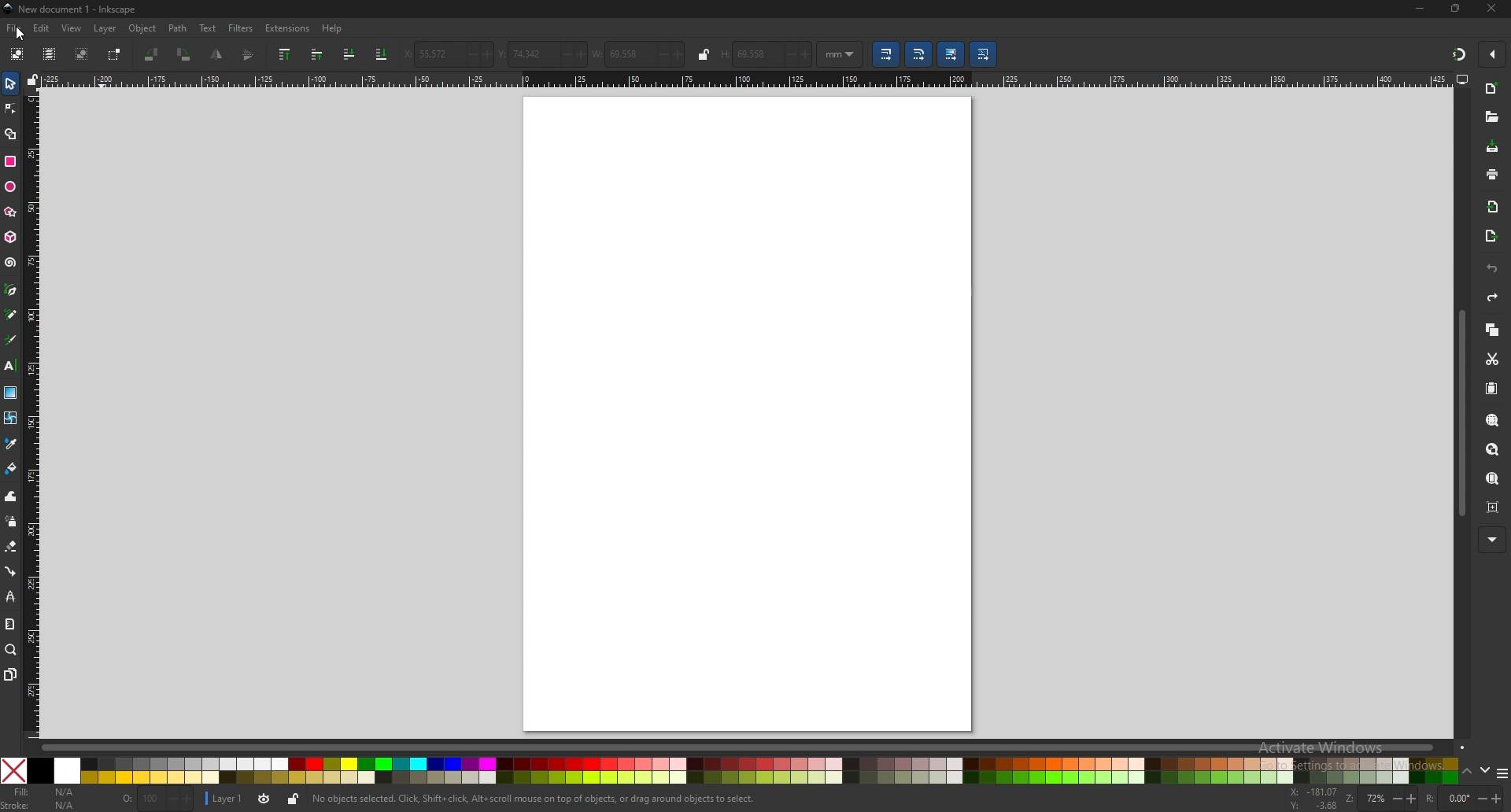 Image resolution: width=1511 pixels, height=812 pixels. Describe the element at coordinates (747, 79) in the screenshot. I see `horizontal ruler` at that location.